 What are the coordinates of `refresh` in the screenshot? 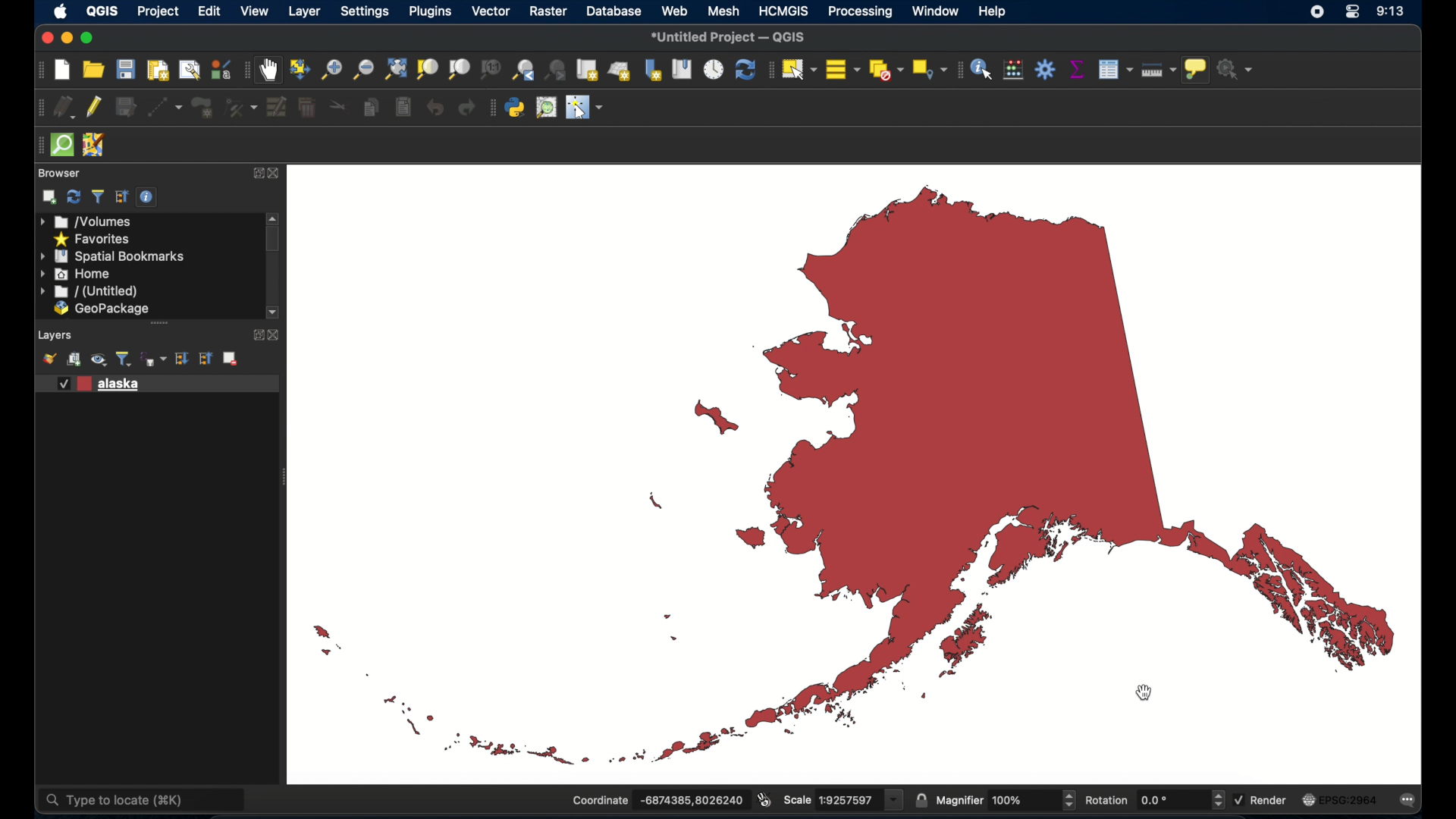 It's located at (74, 197).